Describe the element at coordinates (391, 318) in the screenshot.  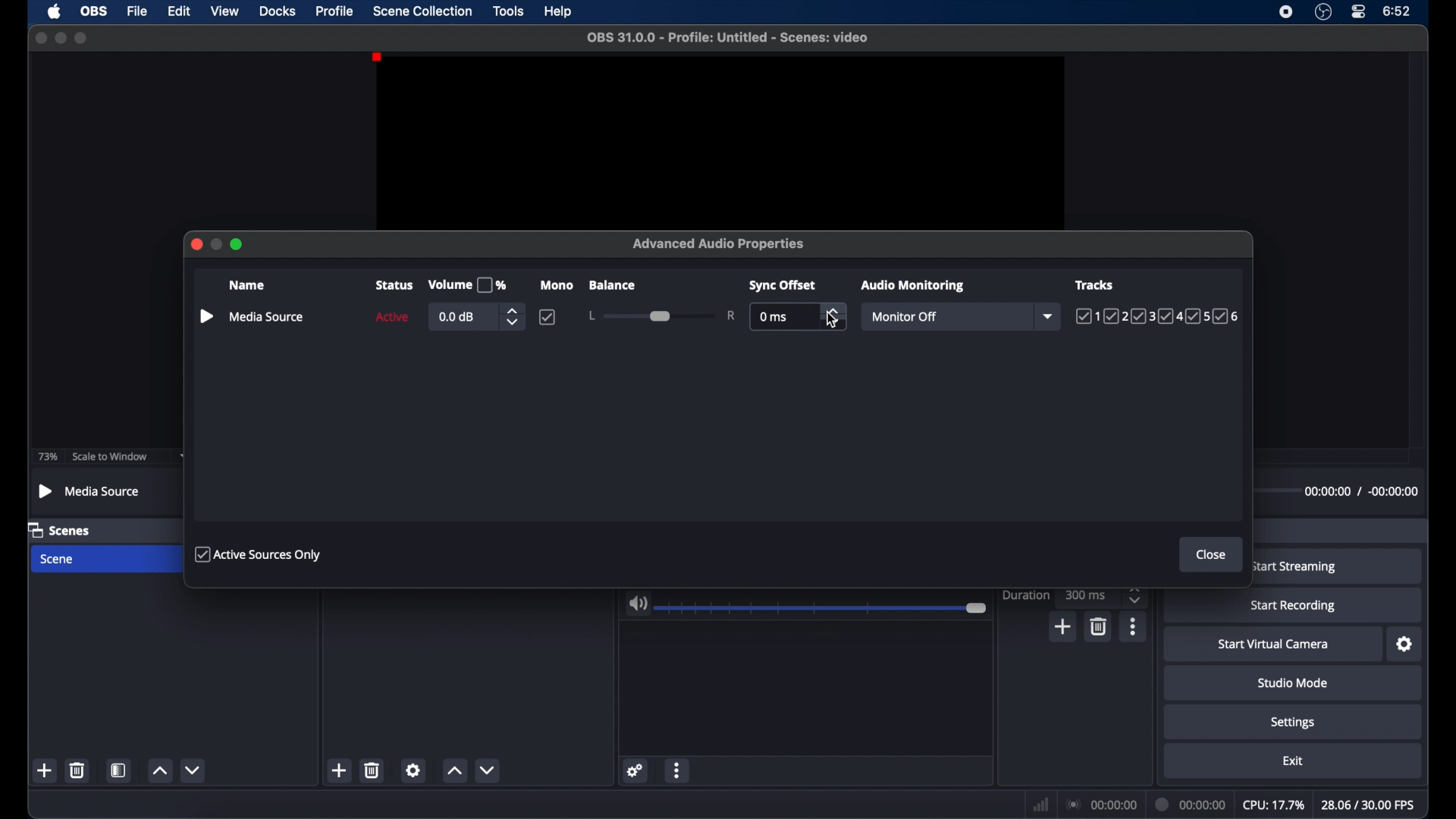
I see `active` at that location.